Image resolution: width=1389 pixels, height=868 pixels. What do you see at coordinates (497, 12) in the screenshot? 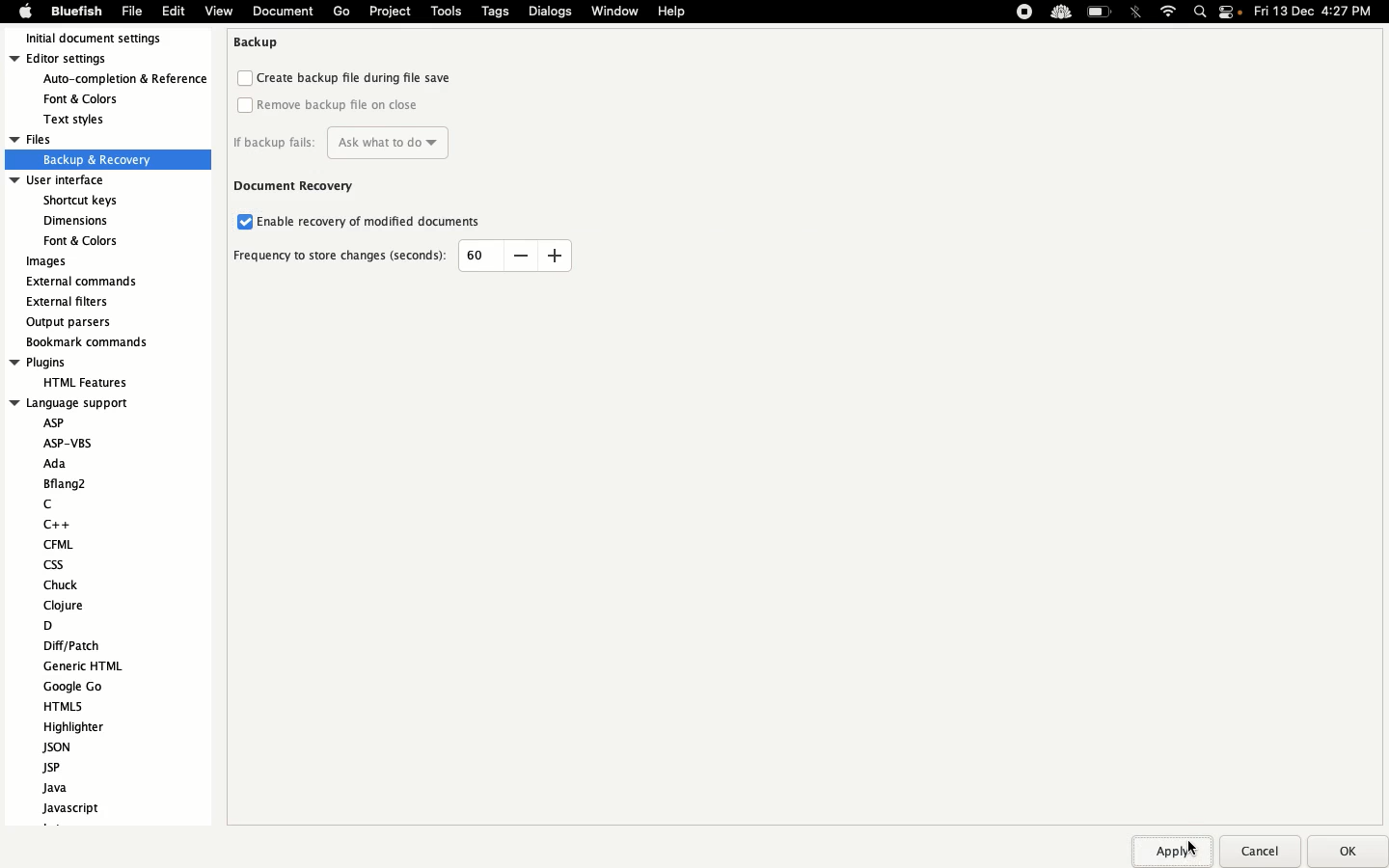
I see `Tags` at bounding box center [497, 12].